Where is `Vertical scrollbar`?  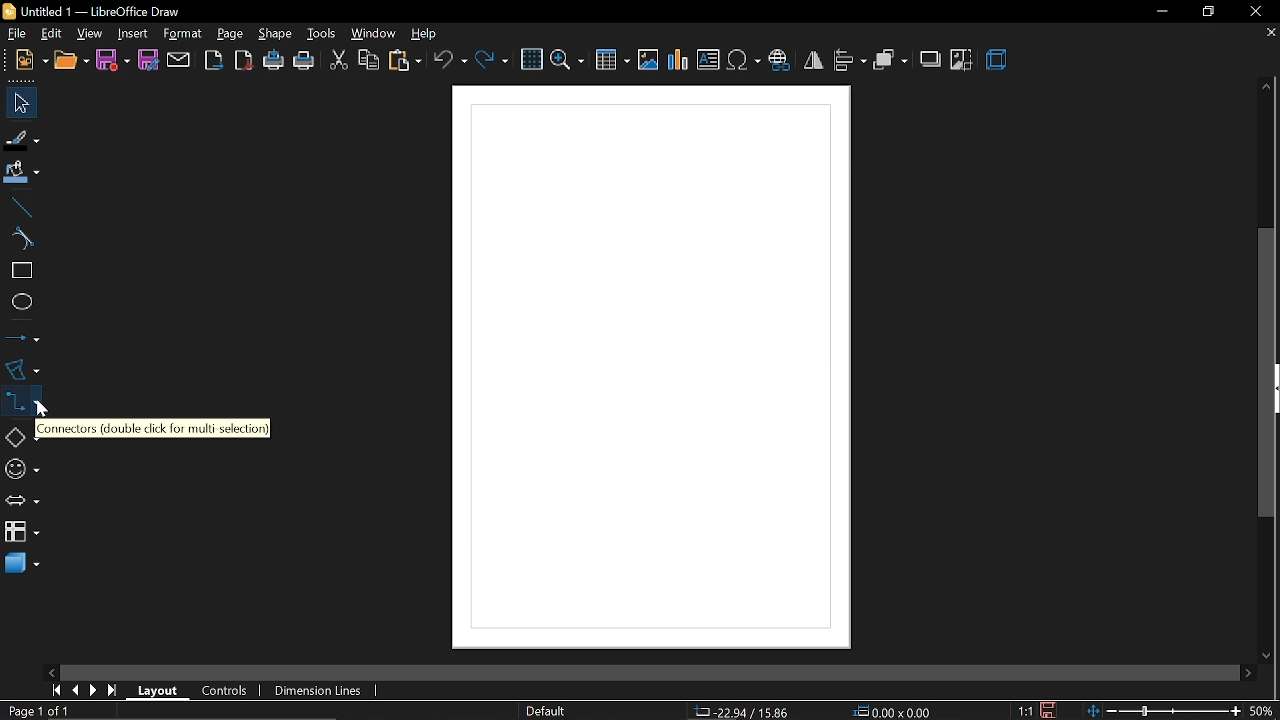 Vertical scrollbar is located at coordinates (1267, 374).